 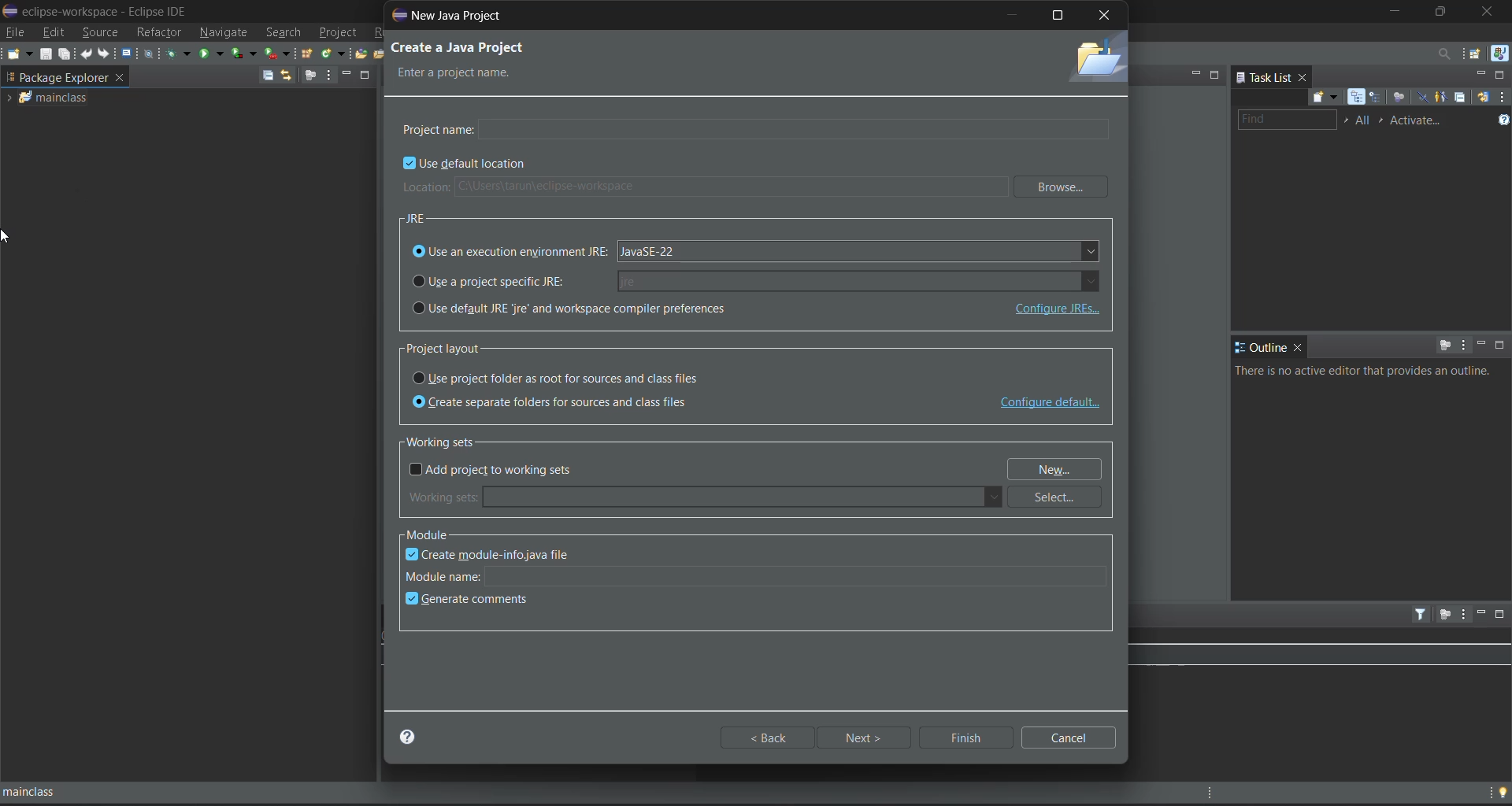 What do you see at coordinates (286, 75) in the screenshot?
I see `link with editor` at bounding box center [286, 75].